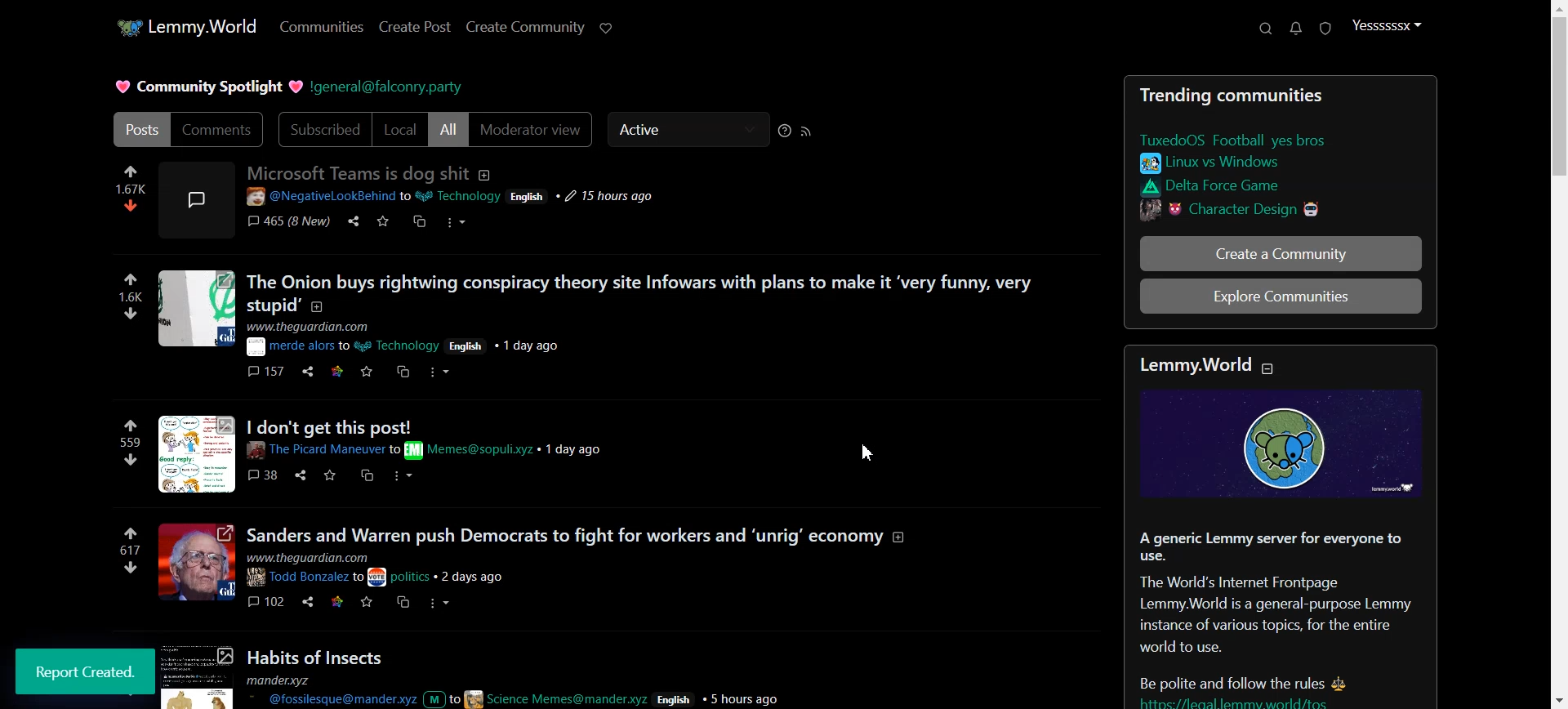 The image size is (1568, 709). I want to click on more, so click(403, 475).